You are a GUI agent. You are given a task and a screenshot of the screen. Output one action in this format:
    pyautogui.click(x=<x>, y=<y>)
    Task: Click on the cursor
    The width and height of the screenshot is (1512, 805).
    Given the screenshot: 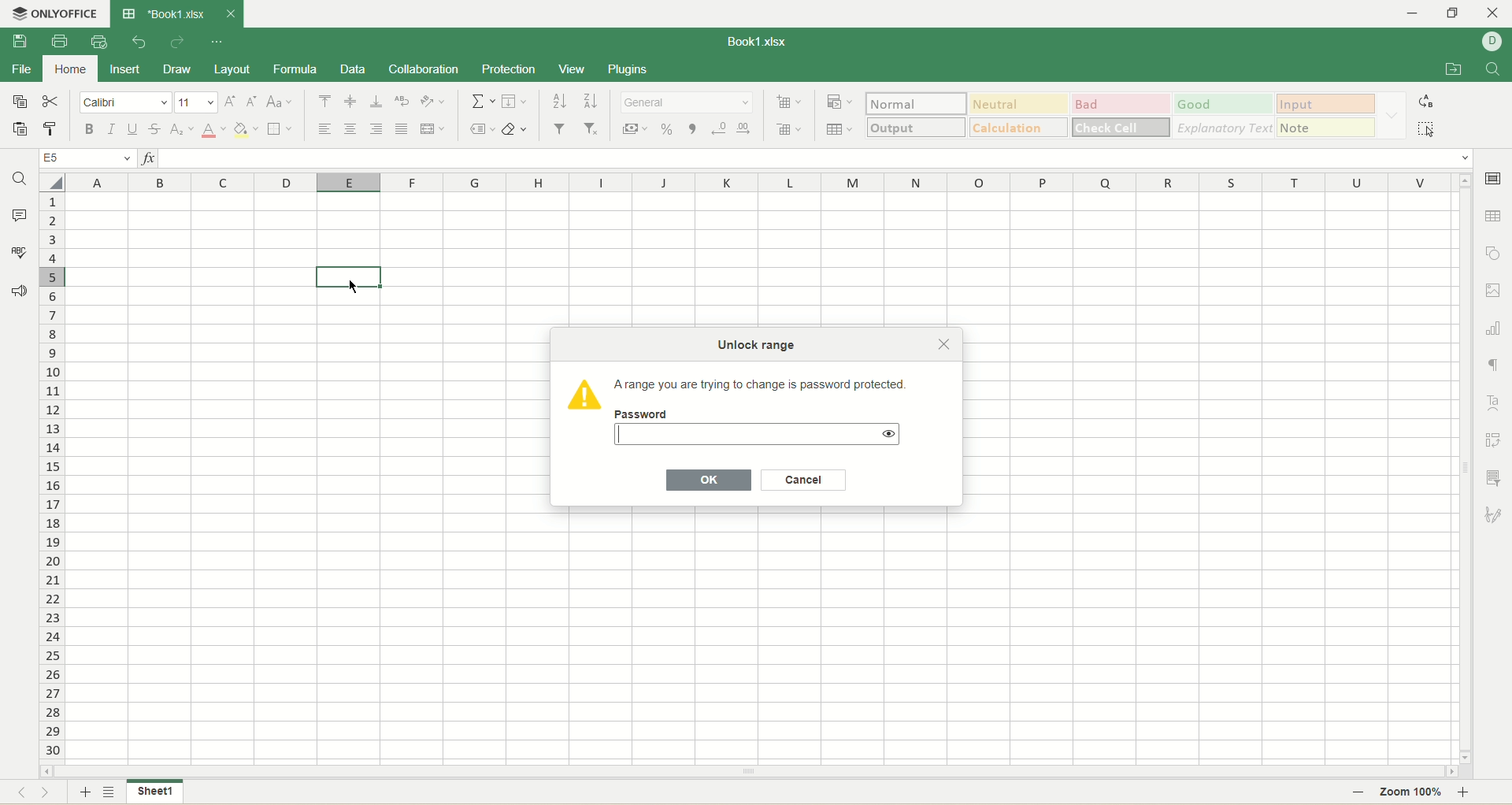 What is the action you would take?
    pyautogui.click(x=354, y=288)
    